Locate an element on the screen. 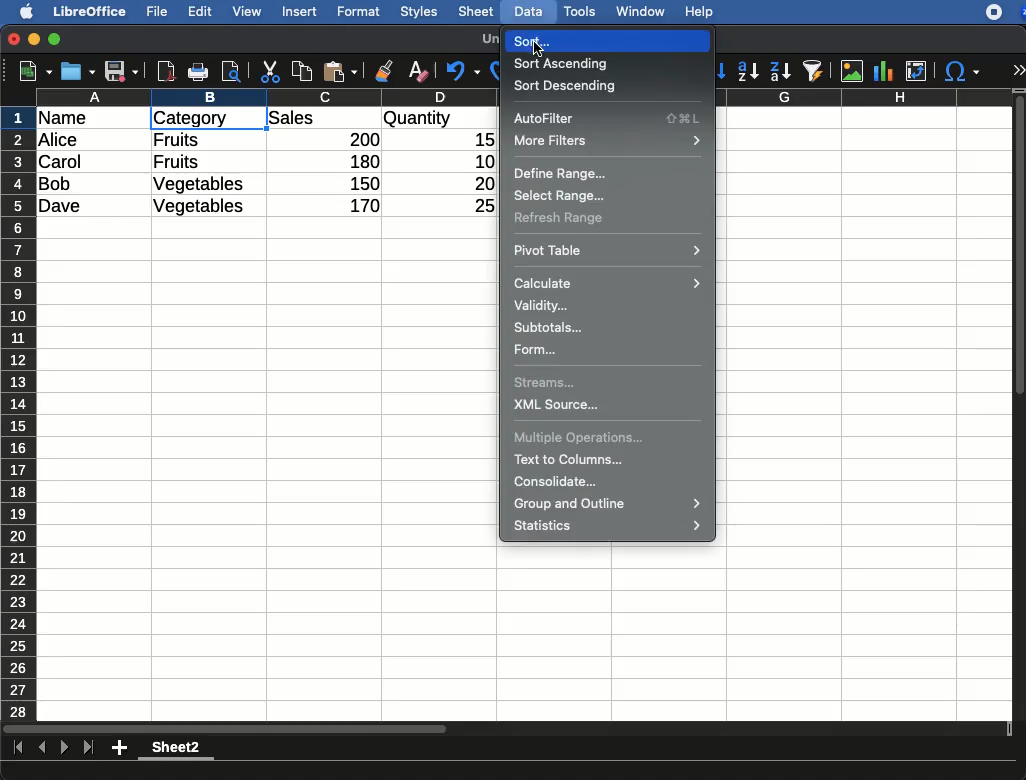 This screenshot has height=780, width=1026. sort descending is located at coordinates (567, 85).